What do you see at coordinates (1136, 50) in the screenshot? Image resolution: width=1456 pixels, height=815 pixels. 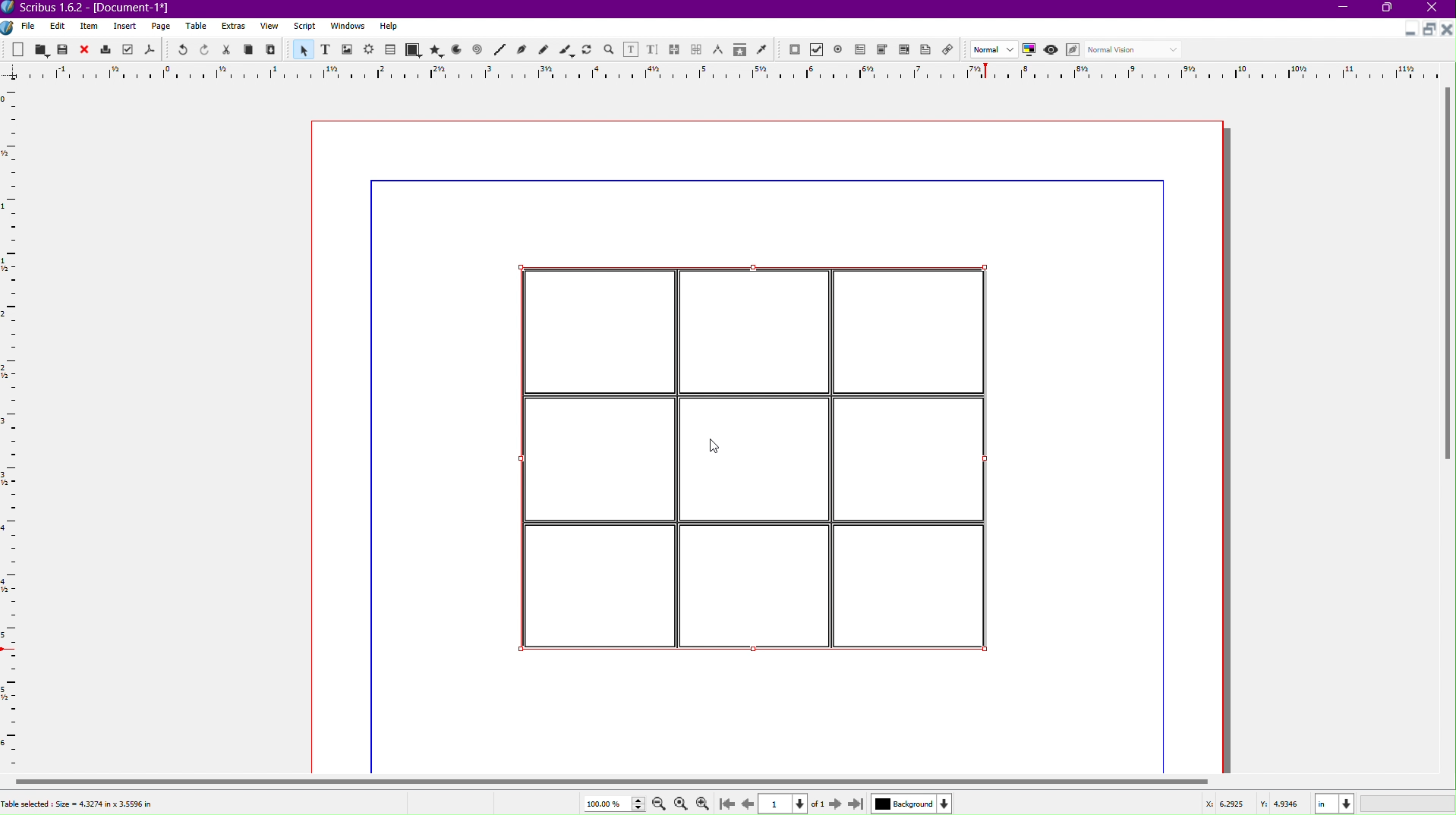 I see `Select the visual appearance of the display` at bounding box center [1136, 50].